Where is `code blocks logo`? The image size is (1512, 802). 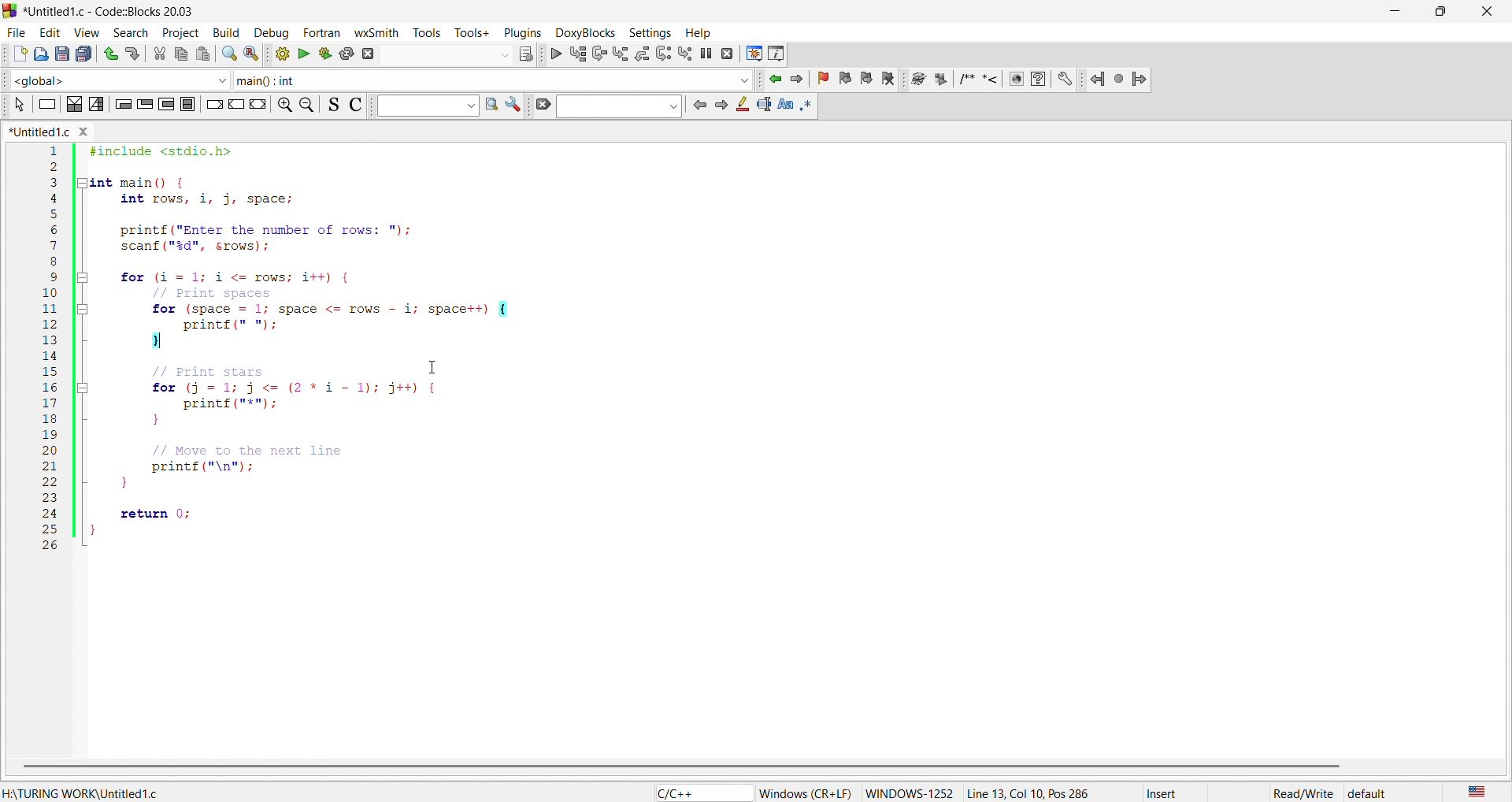 code blocks logo is located at coordinates (9, 12).